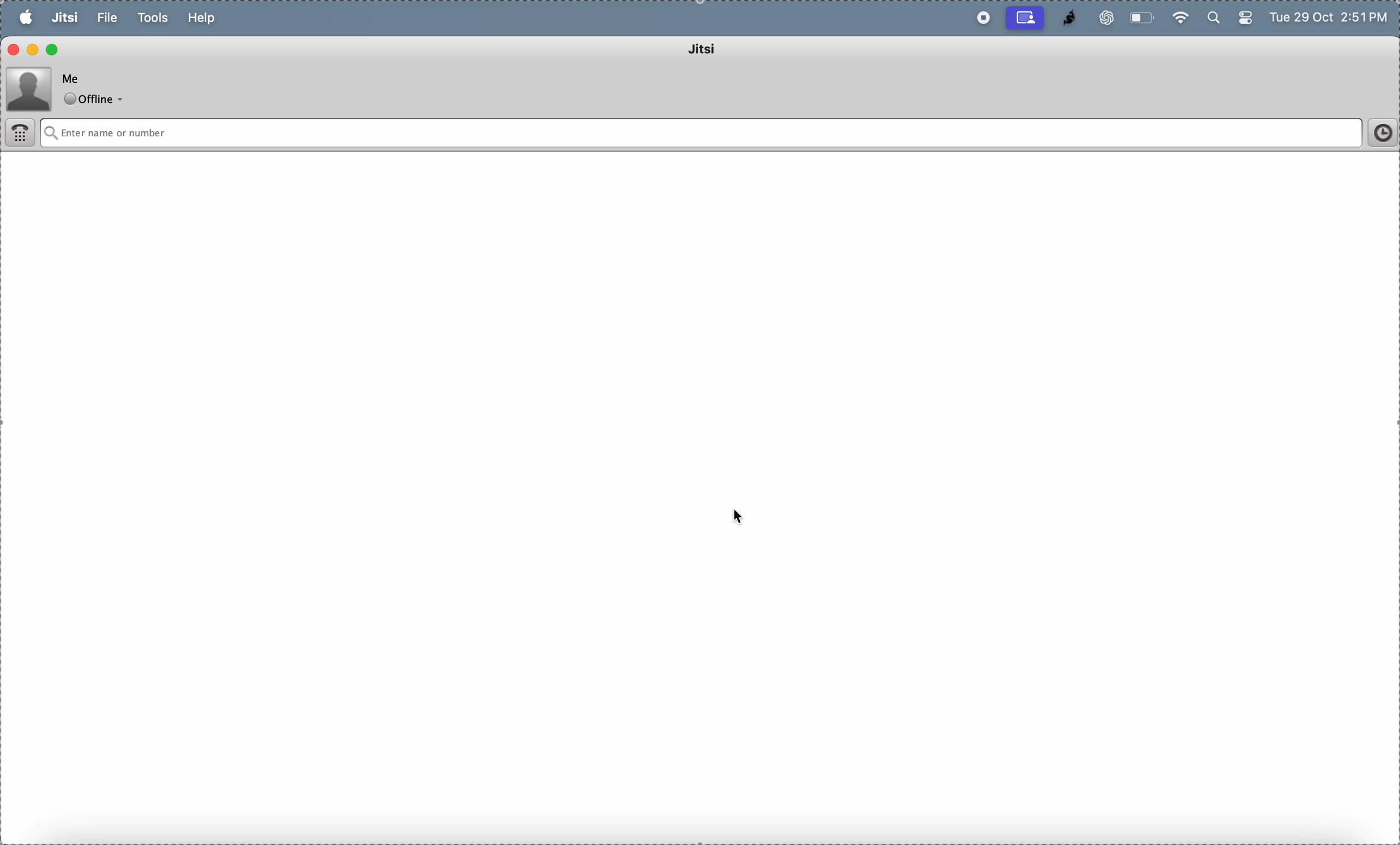  Describe the element at coordinates (30, 87) in the screenshot. I see `profile` at that location.